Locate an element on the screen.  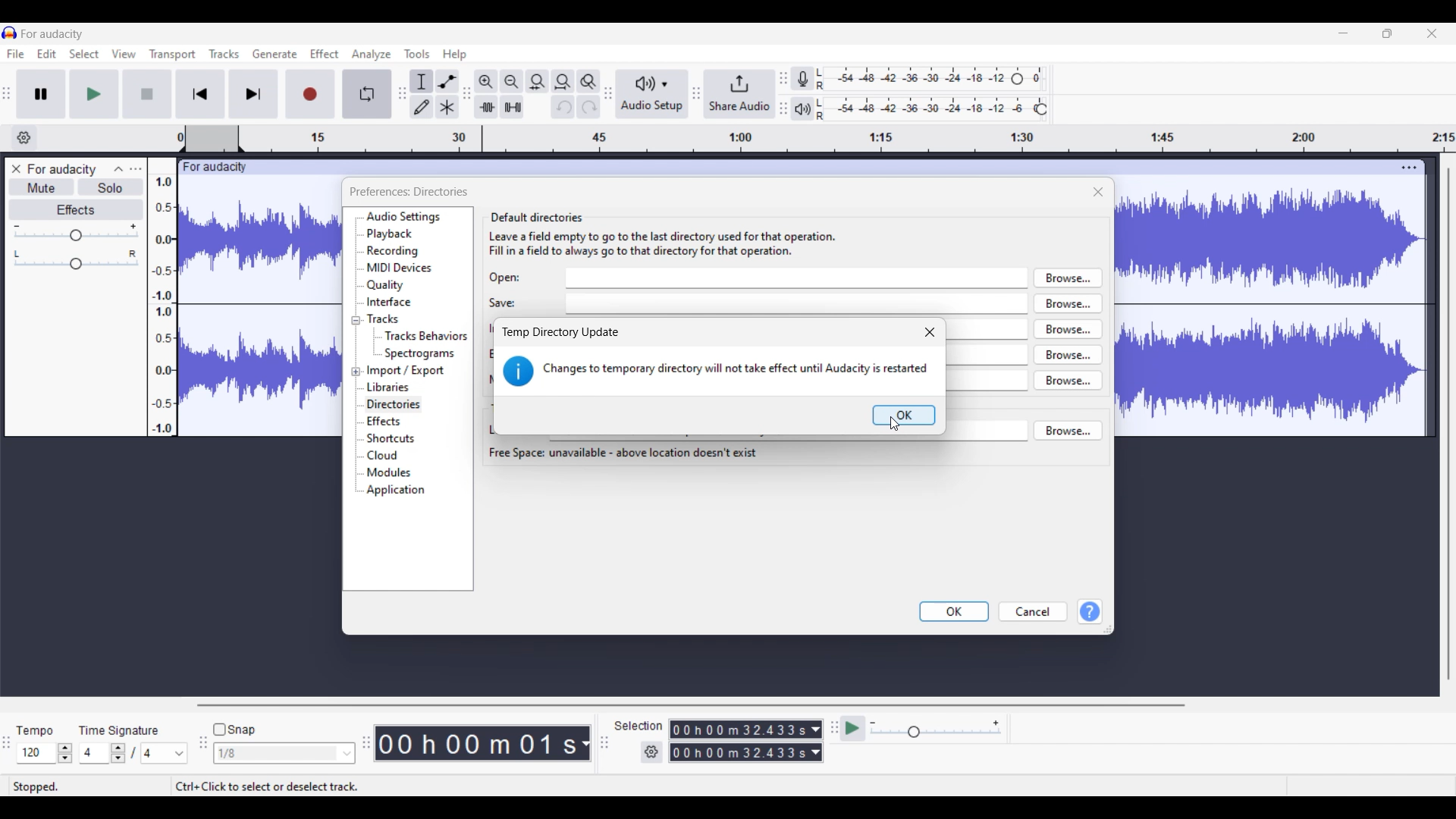
Minimize is located at coordinates (1344, 33).